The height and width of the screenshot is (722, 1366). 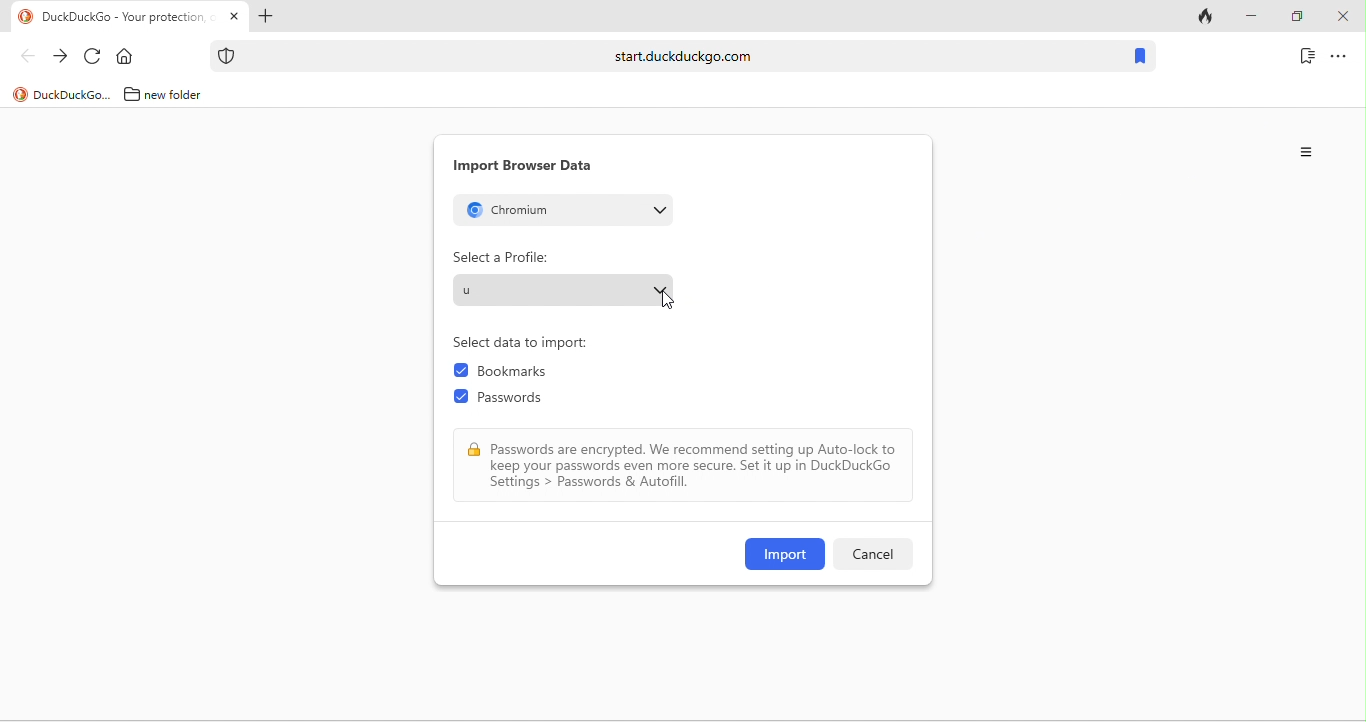 I want to click on minimize, so click(x=1250, y=17).